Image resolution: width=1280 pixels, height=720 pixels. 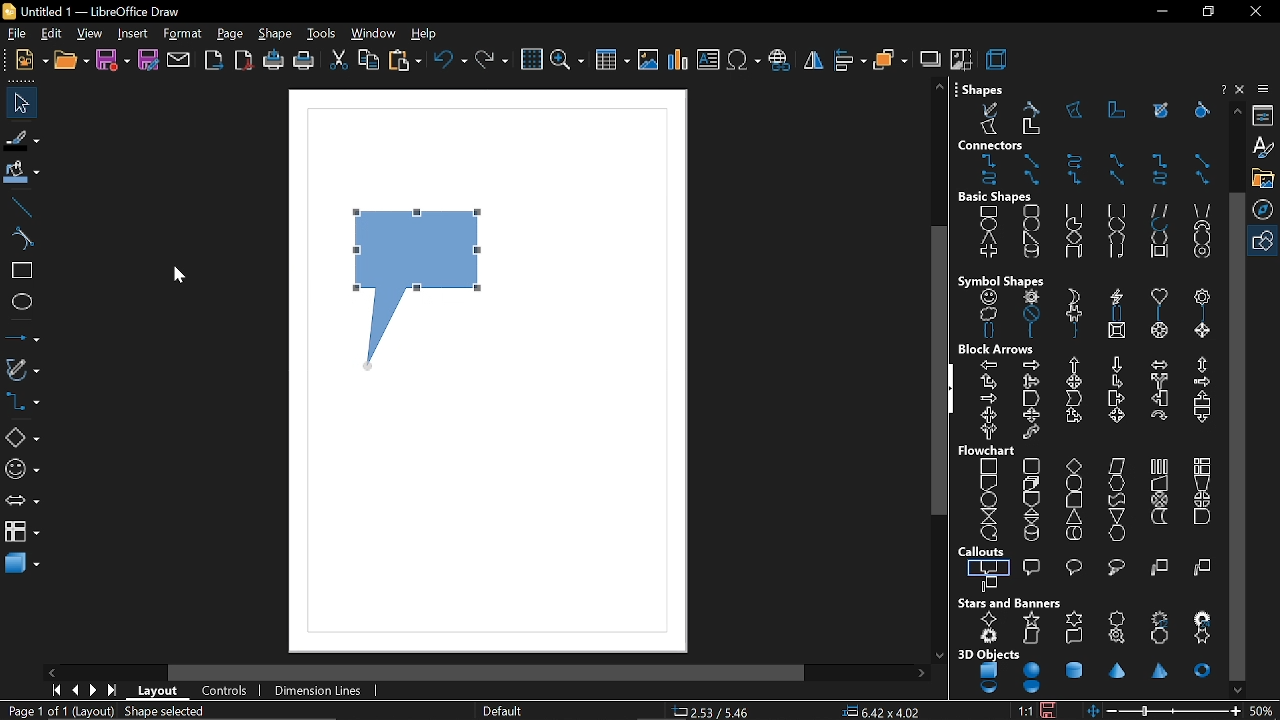 I want to click on square bevel, so click(x=1117, y=333).